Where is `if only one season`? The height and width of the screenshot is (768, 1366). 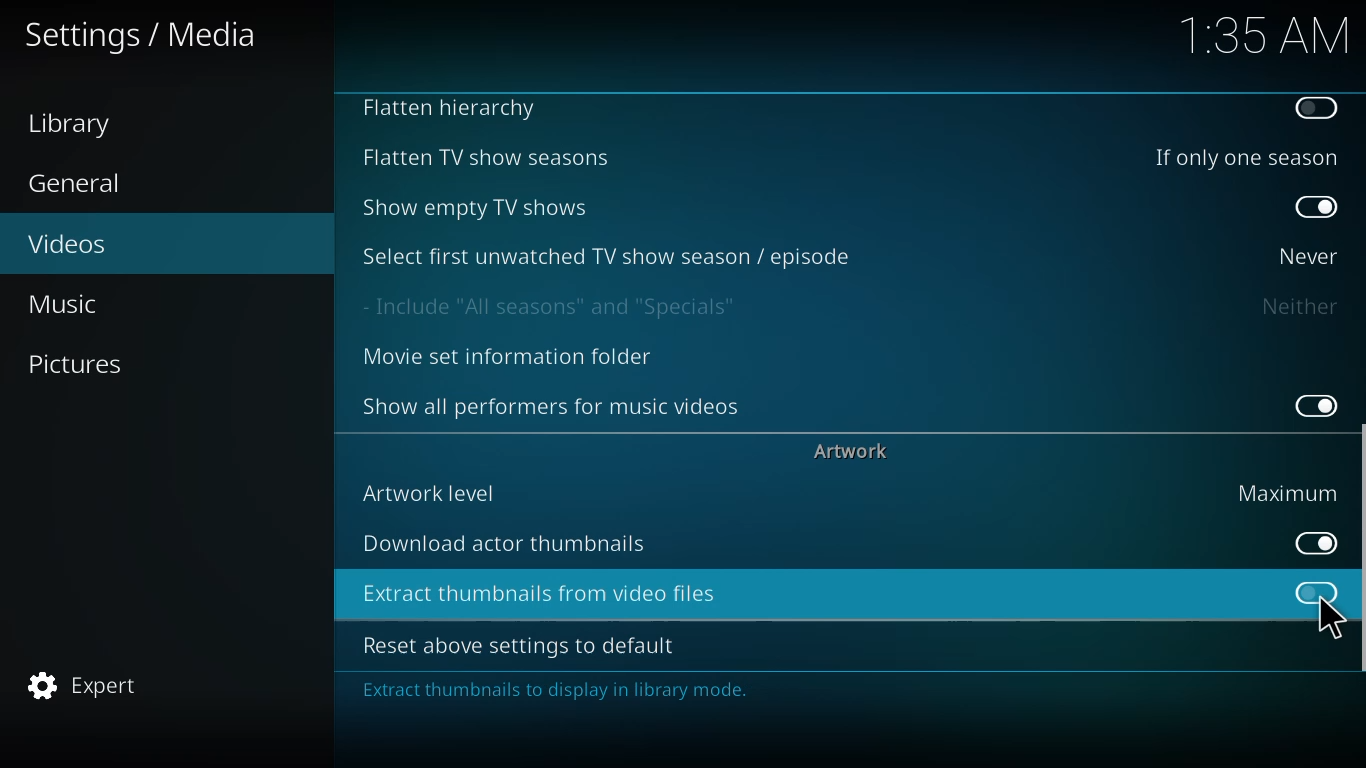
if only one season is located at coordinates (1242, 156).